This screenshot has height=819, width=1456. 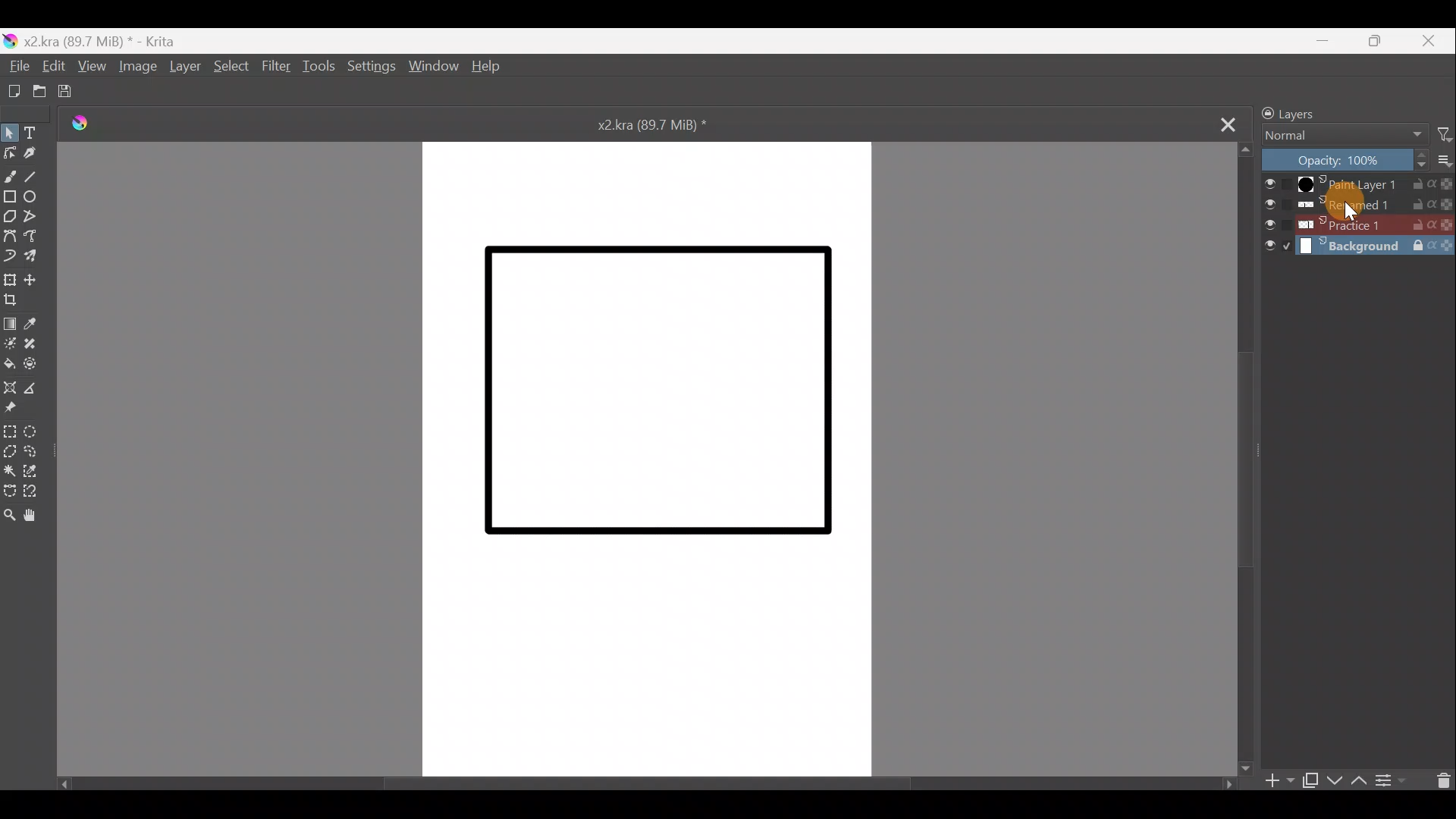 I want to click on File, so click(x=14, y=66).